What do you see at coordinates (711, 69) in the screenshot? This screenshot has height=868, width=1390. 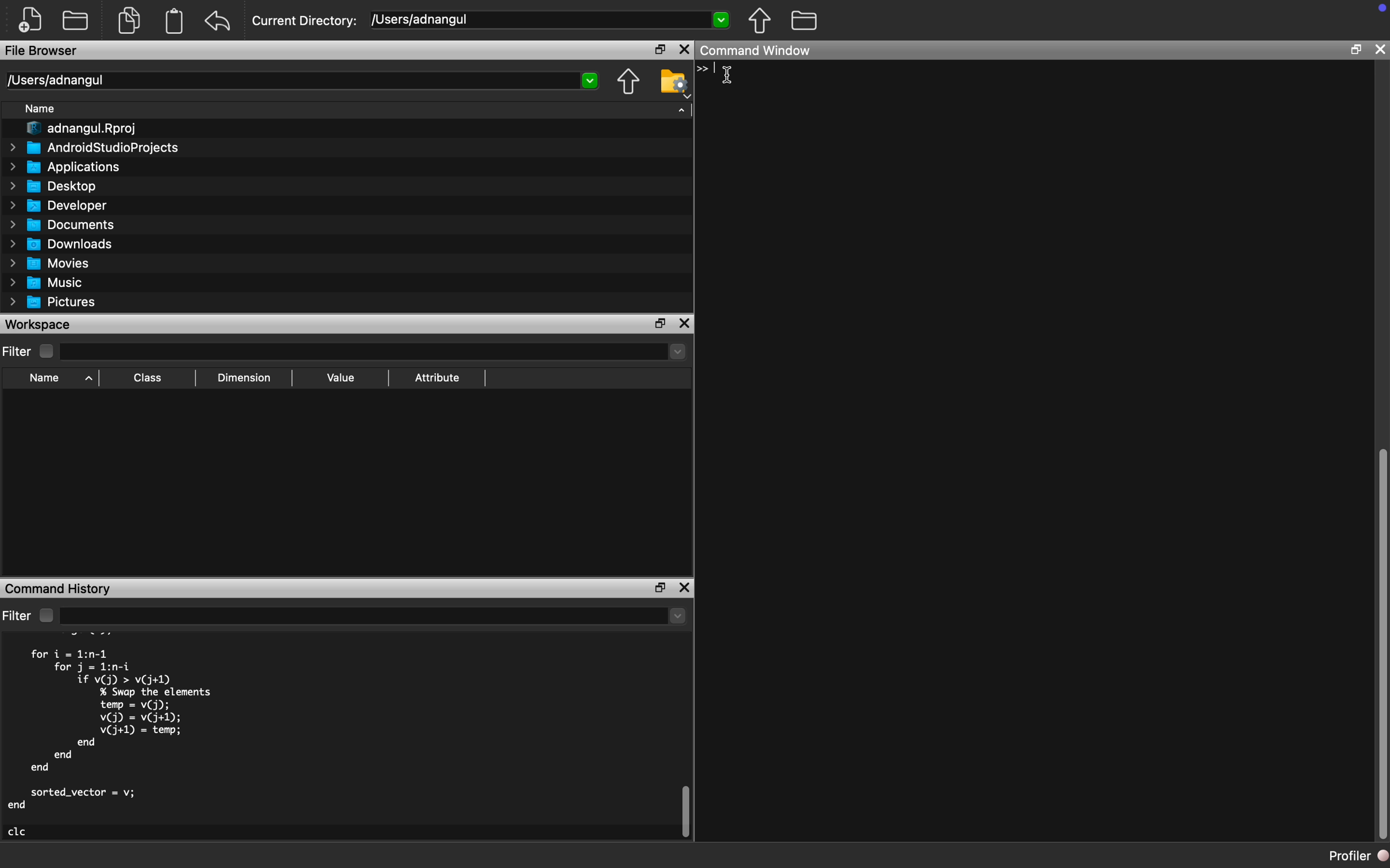 I see `Typing Indicator` at bounding box center [711, 69].